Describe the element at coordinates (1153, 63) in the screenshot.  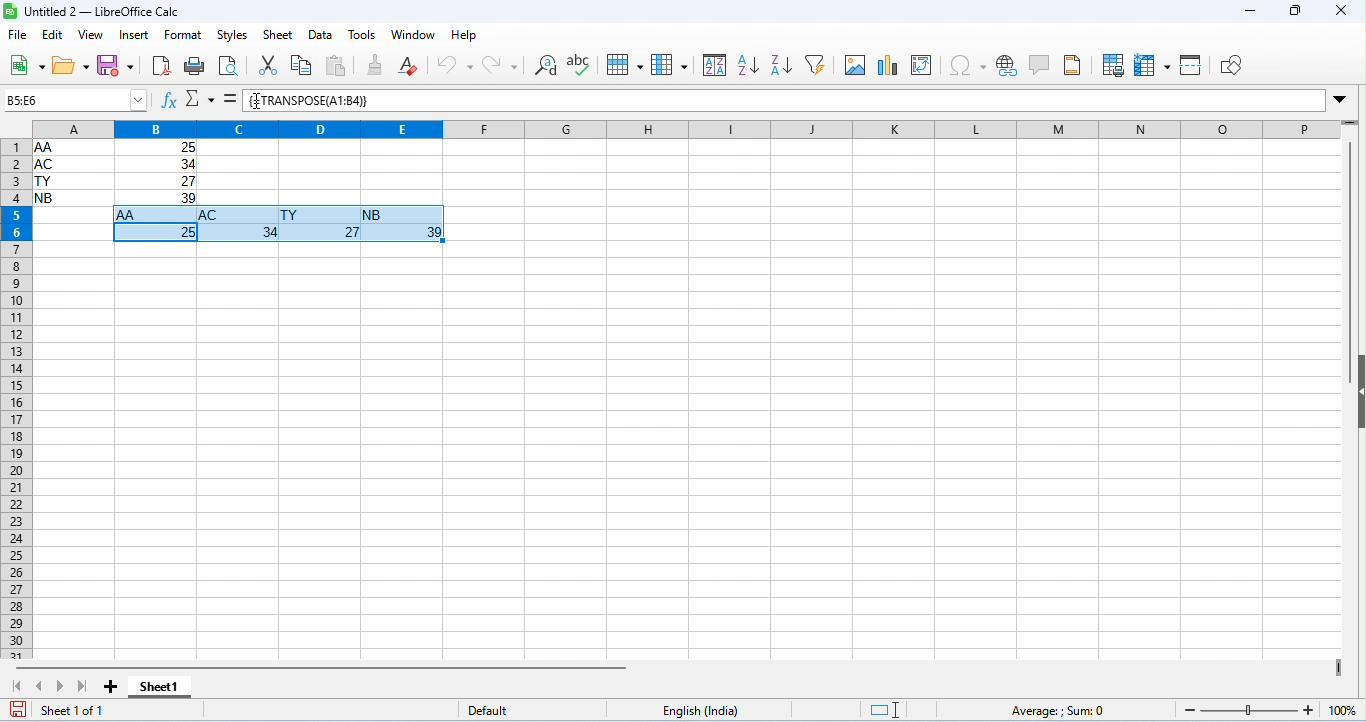
I see `freeze rows and columns` at that location.